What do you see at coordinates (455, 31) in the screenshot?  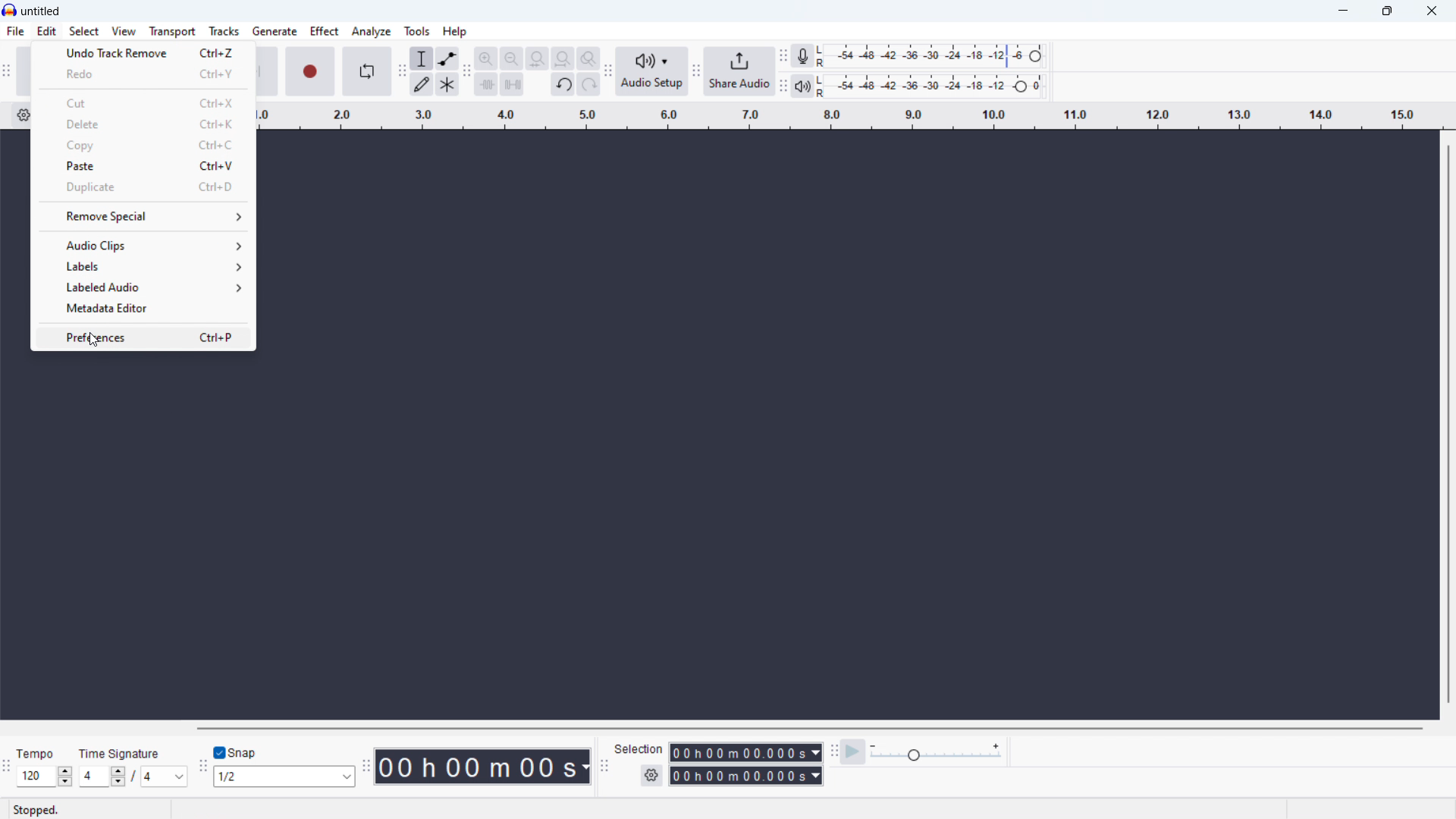 I see `help` at bounding box center [455, 31].